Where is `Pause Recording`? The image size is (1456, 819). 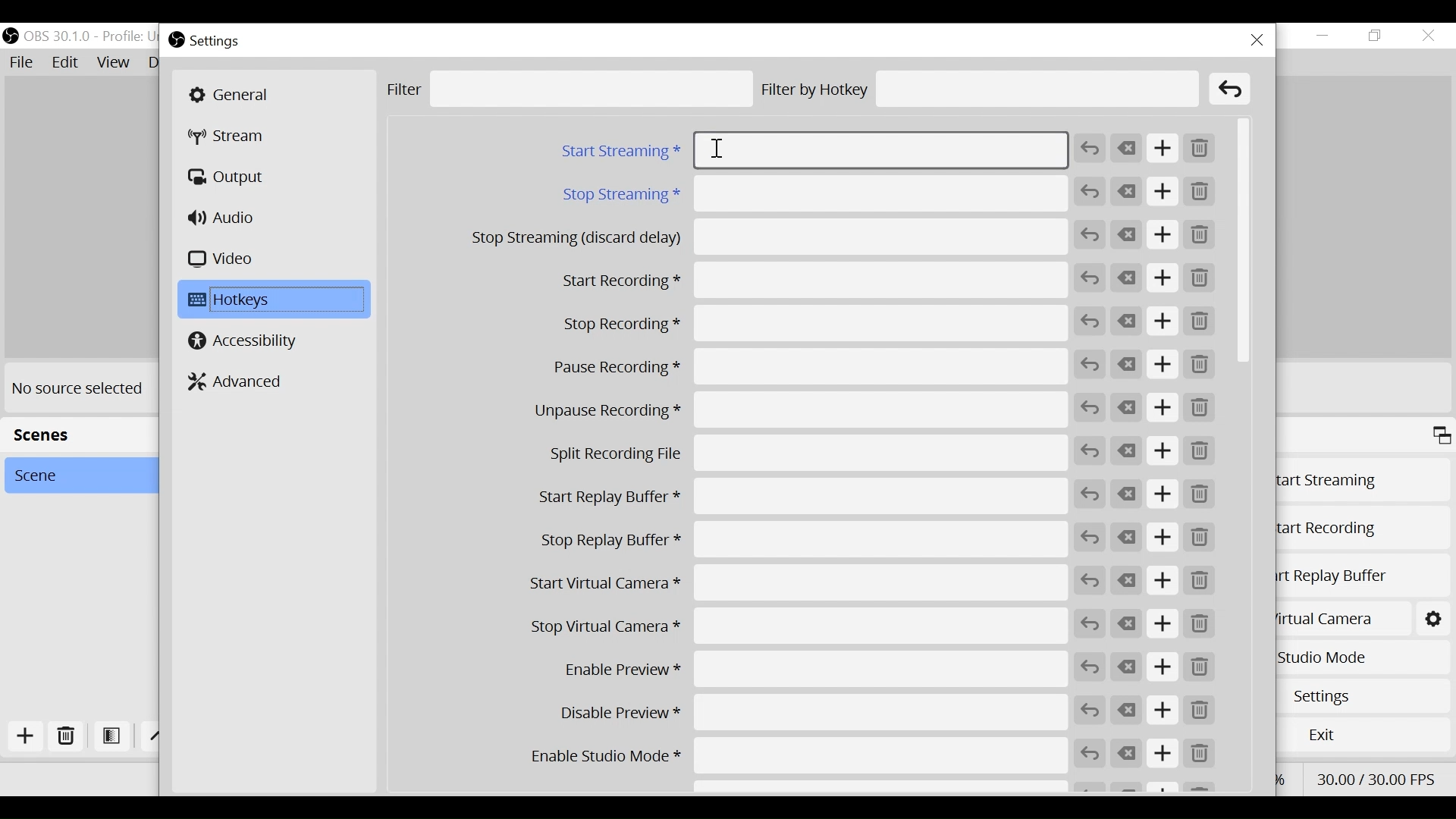 Pause Recording is located at coordinates (799, 368).